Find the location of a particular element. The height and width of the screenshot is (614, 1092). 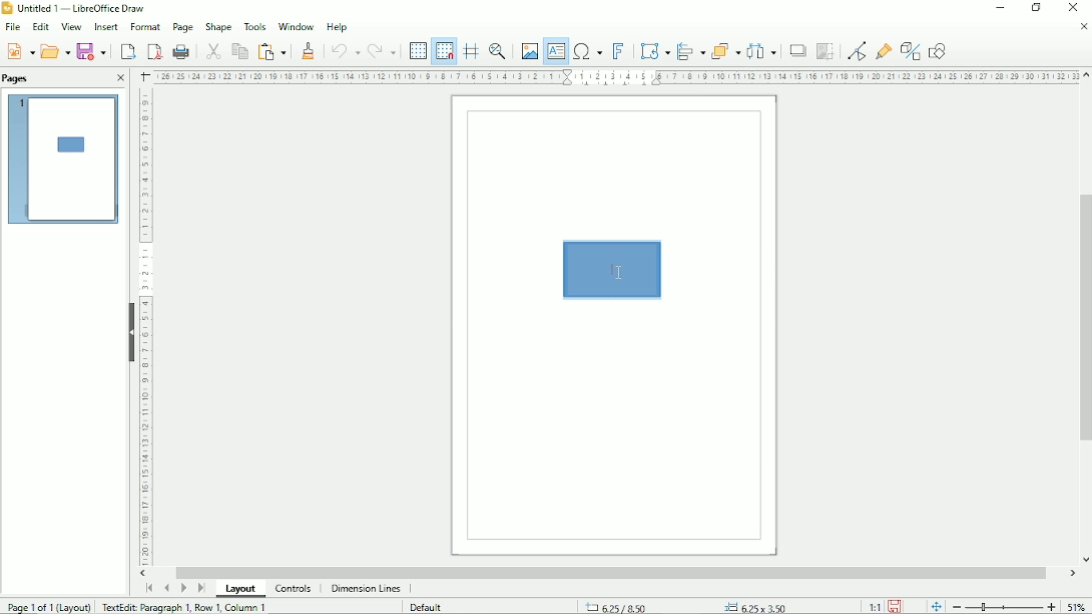

Default is located at coordinates (428, 606).